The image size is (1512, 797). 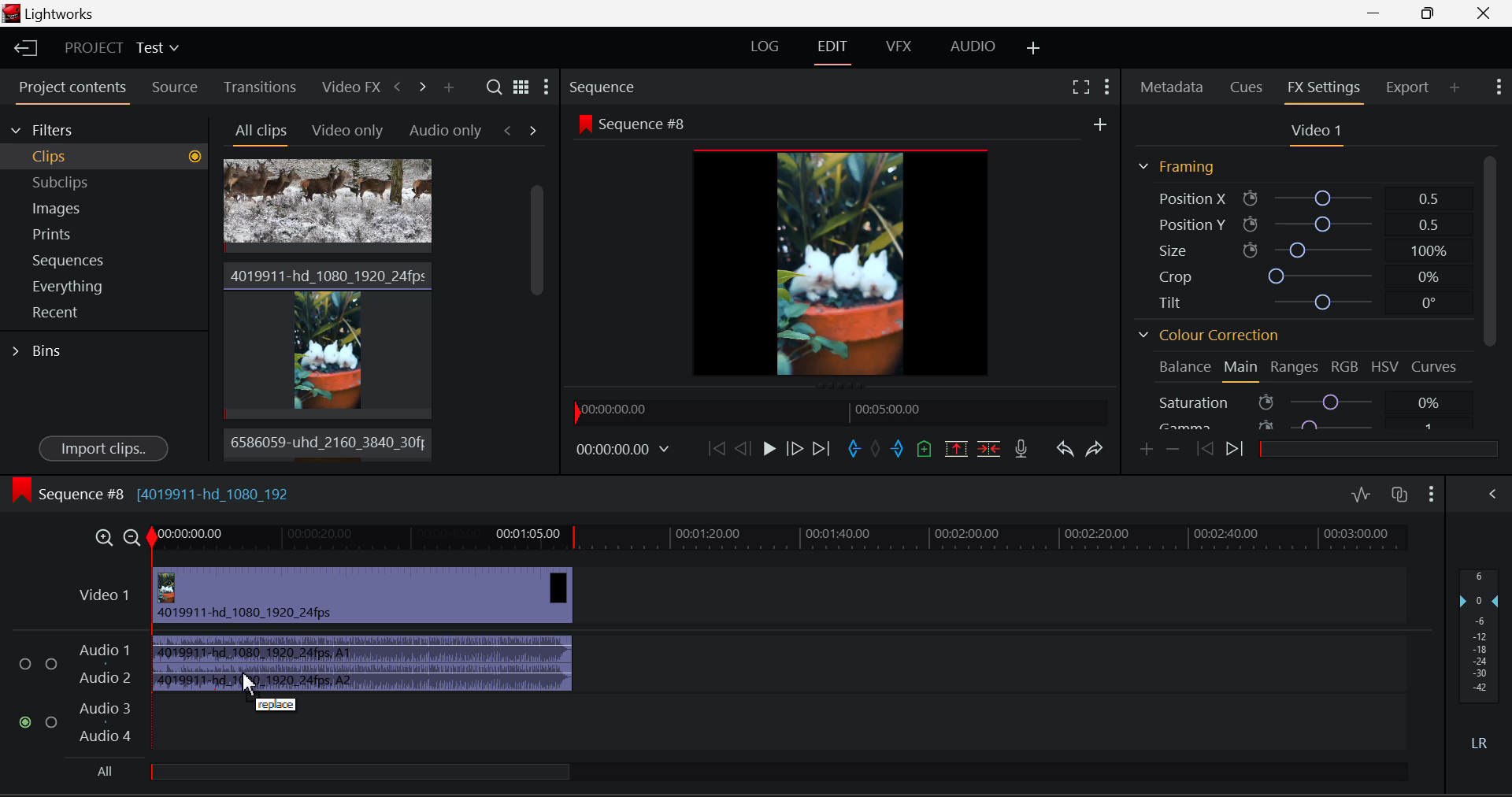 What do you see at coordinates (175, 89) in the screenshot?
I see `Source` at bounding box center [175, 89].